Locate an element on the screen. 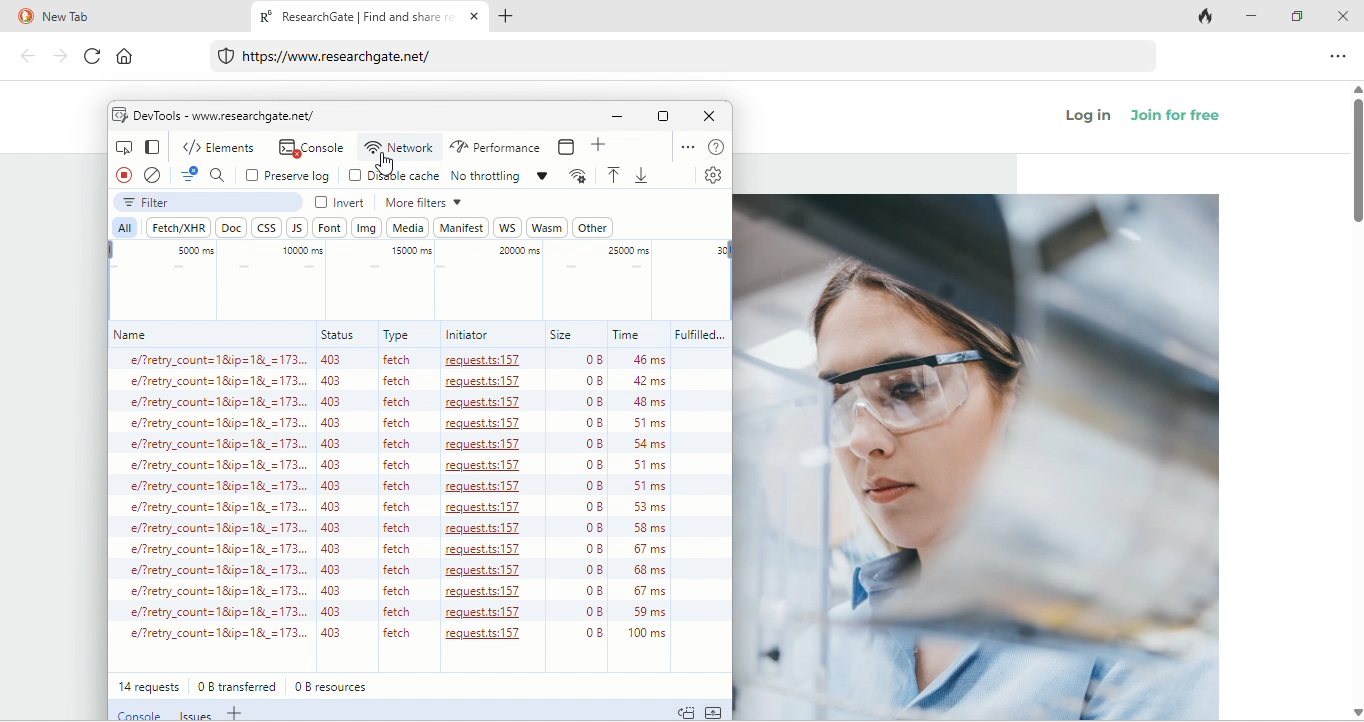 The image size is (1364, 722). network setting is located at coordinates (577, 176).